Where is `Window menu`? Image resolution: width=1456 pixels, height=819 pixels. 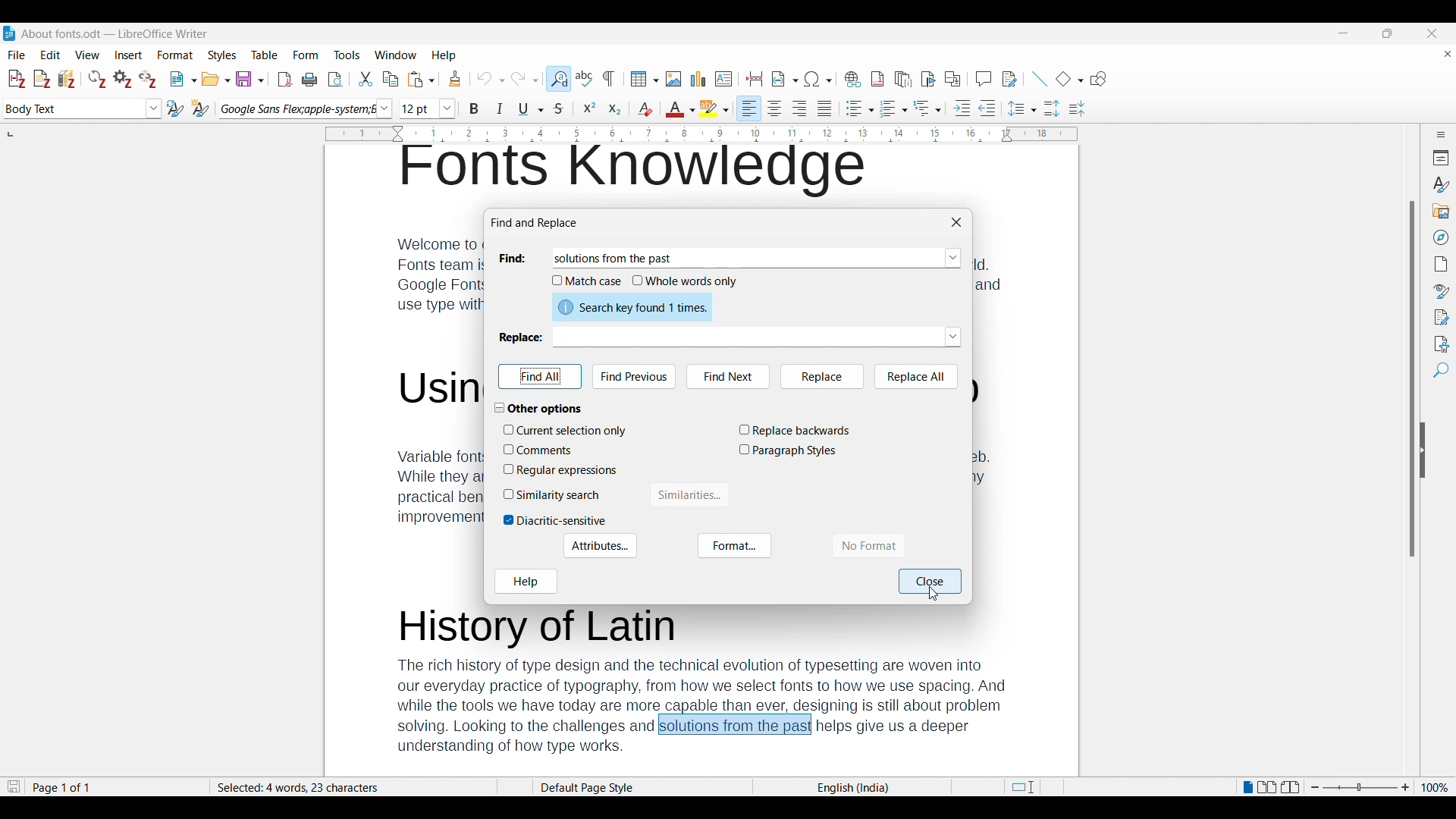 Window menu is located at coordinates (396, 55).